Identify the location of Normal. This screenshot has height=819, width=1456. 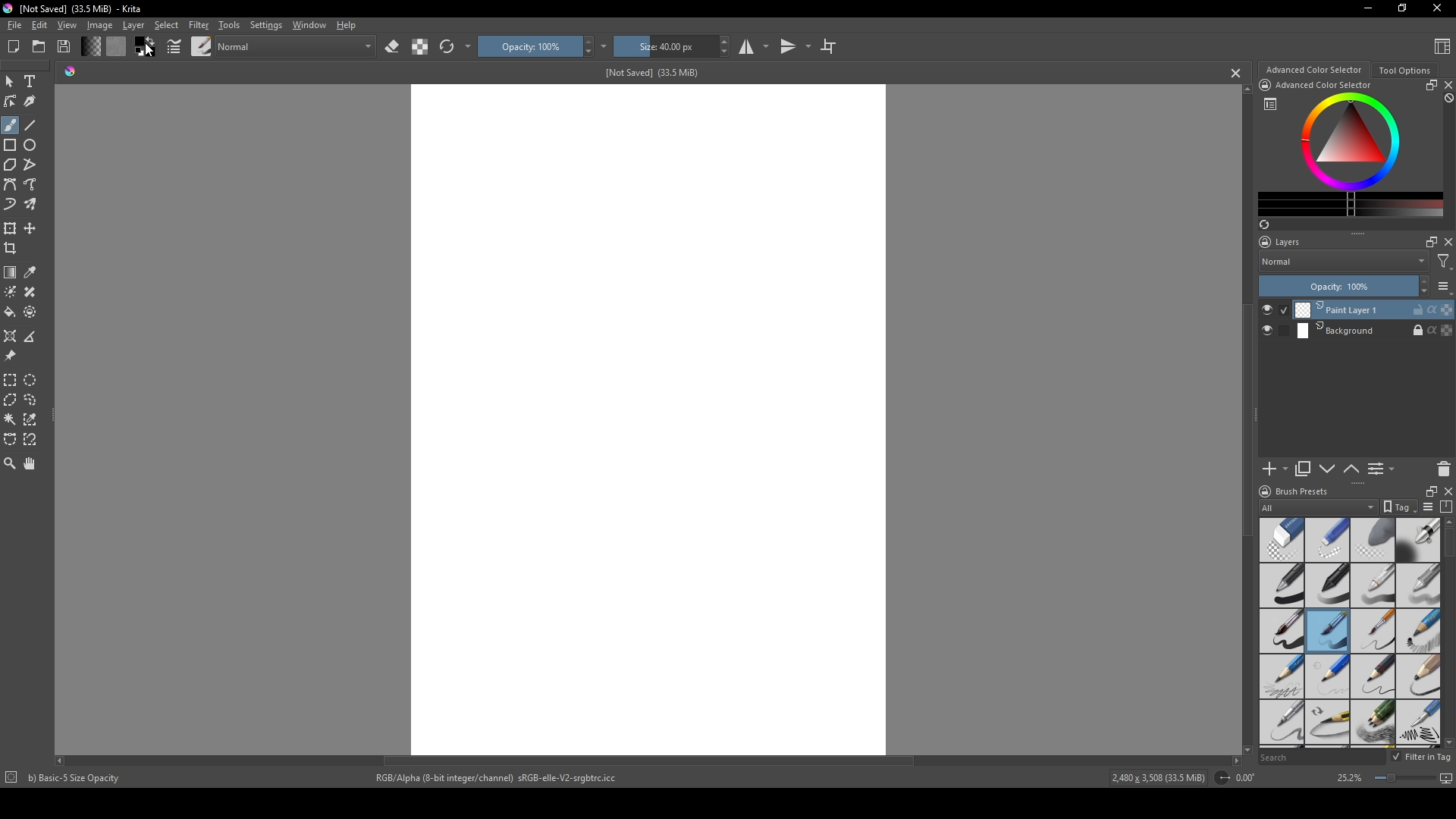
(1344, 261).